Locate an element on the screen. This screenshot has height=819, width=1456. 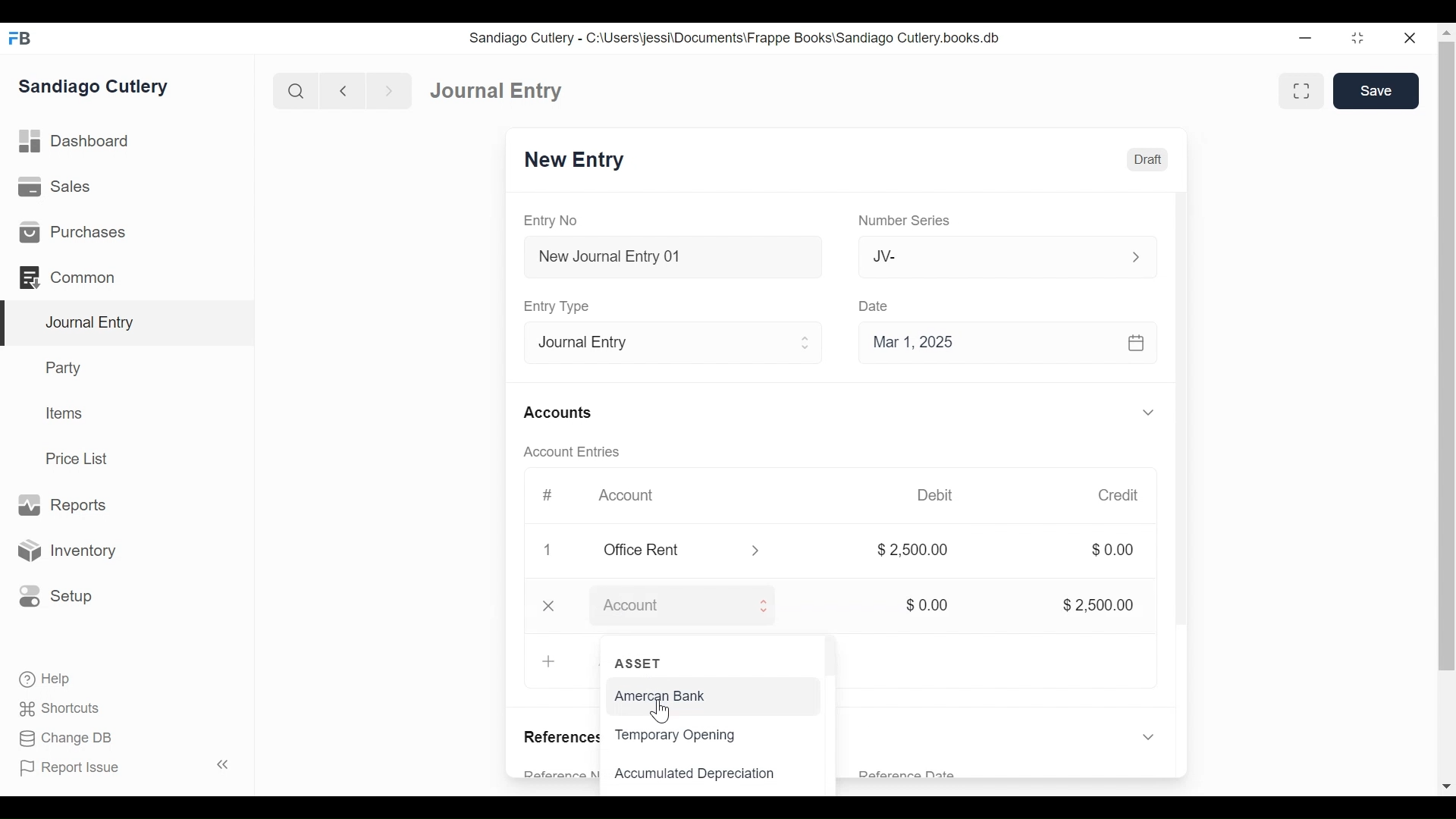
expand/collapse is located at coordinates (1154, 736).